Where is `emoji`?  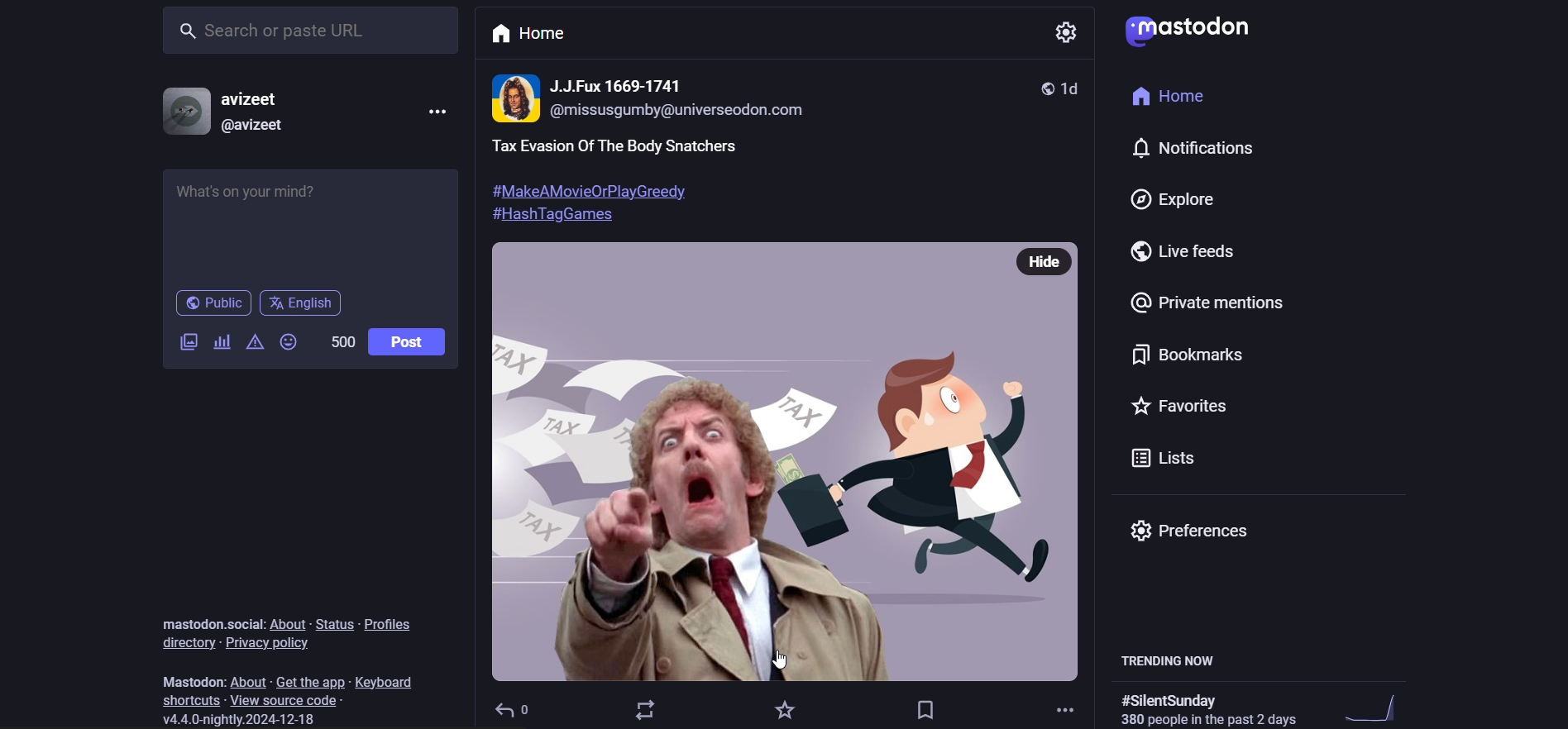 emoji is located at coordinates (289, 342).